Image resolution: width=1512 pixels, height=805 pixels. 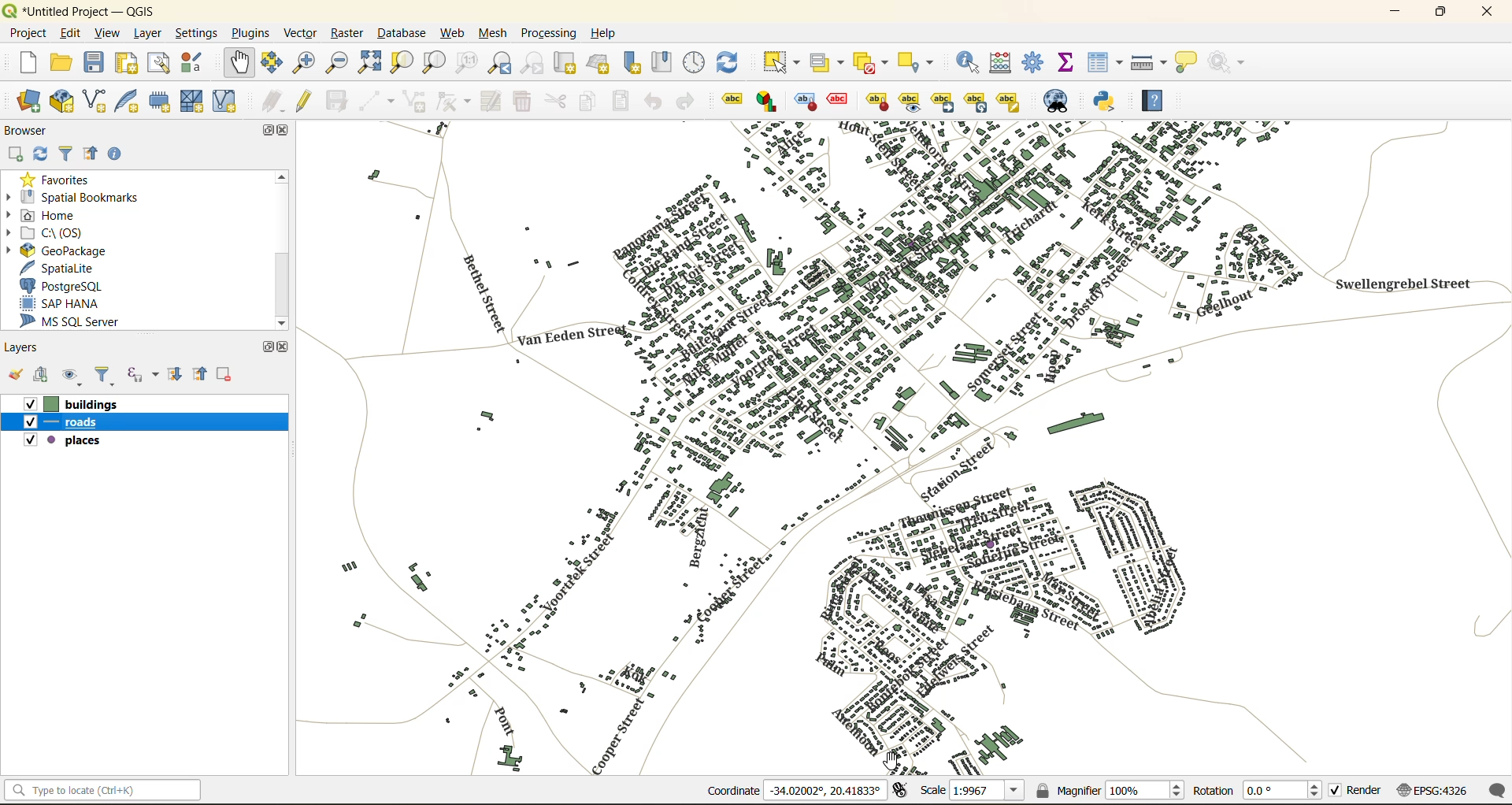 What do you see at coordinates (877, 102) in the screenshot?
I see `pin\unpin labels and diagrams` at bounding box center [877, 102].